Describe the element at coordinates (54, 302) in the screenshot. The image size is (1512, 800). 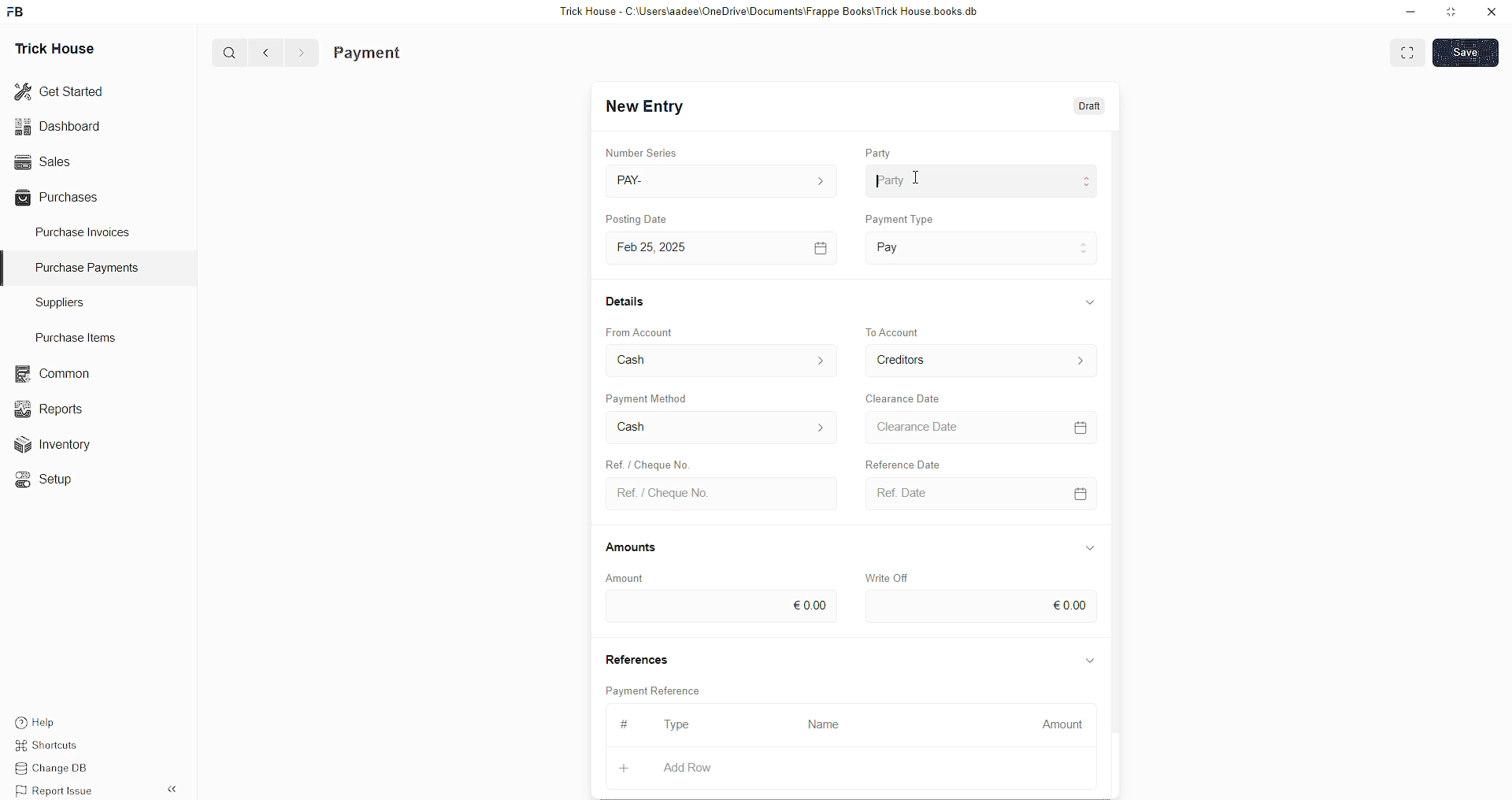
I see `Suppliers` at that location.